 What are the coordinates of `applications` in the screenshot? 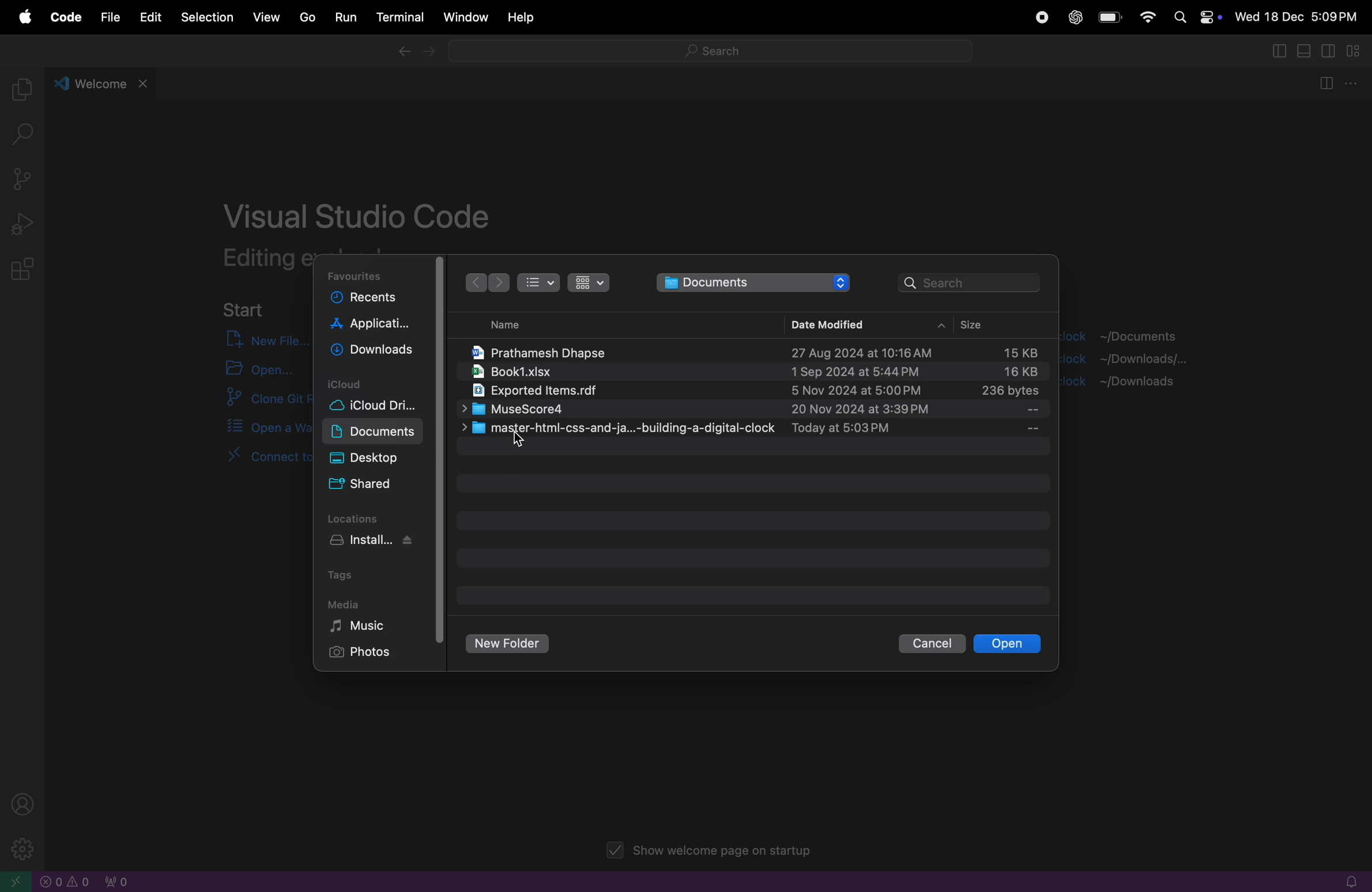 It's located at (372, 326).